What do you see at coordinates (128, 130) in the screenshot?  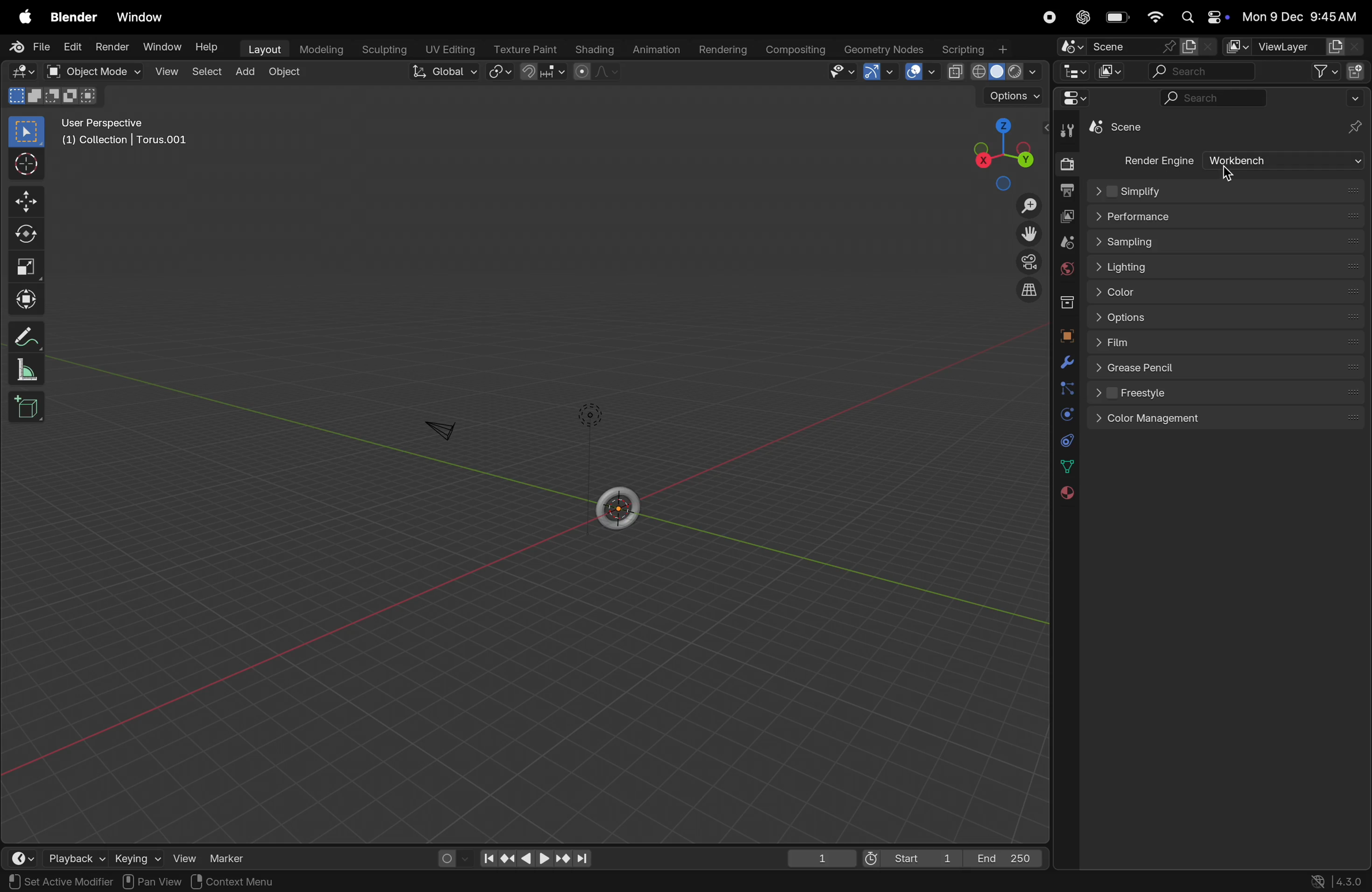 I see `user perspective` at bounding box center [128, 130].